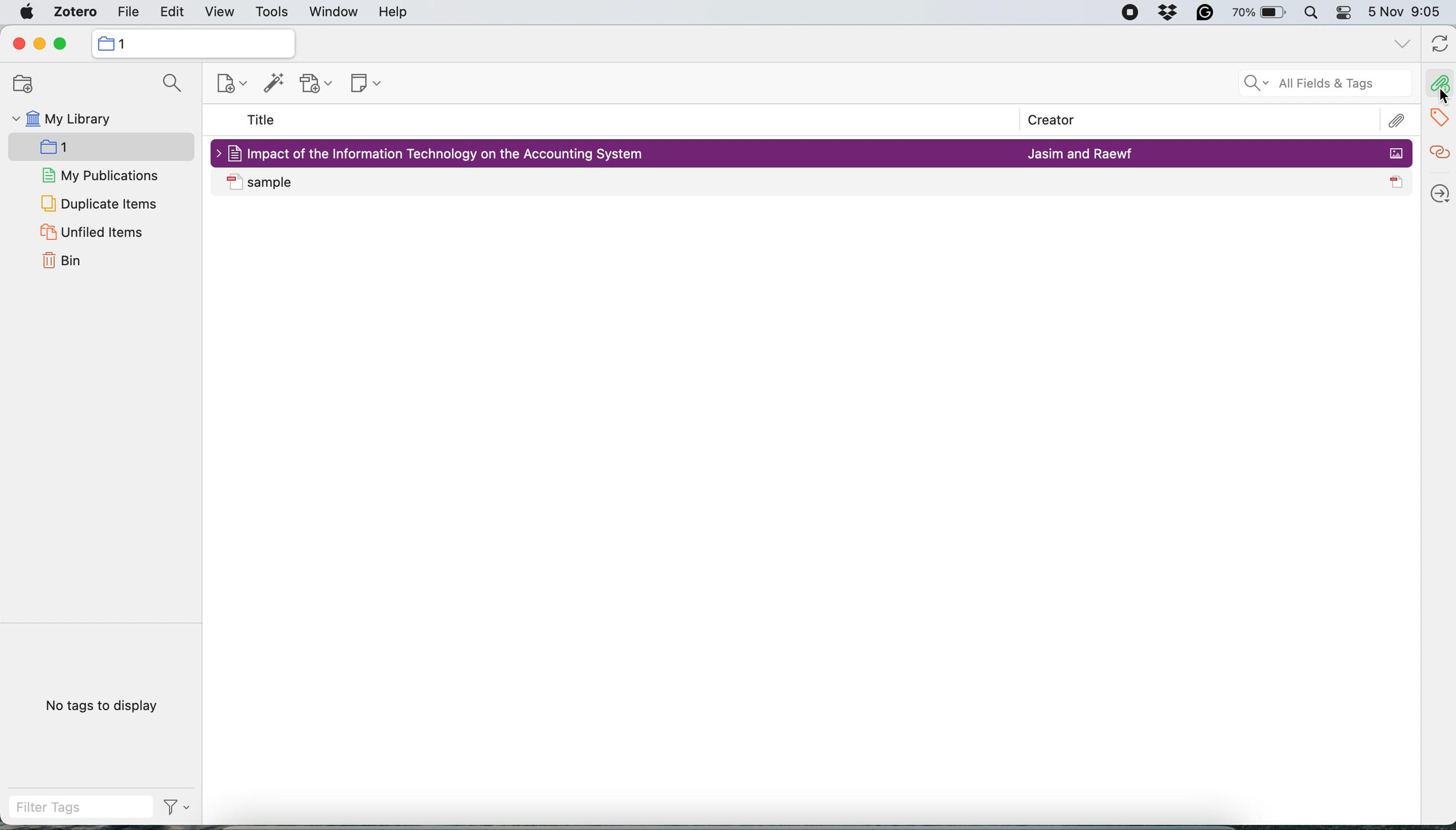 Image resolution: width=1456 pixels, height=830 pixels. What do you see at coordinates (1344, 15) in the screenshot?
I see `control center` at bounding box center [1344, 15].